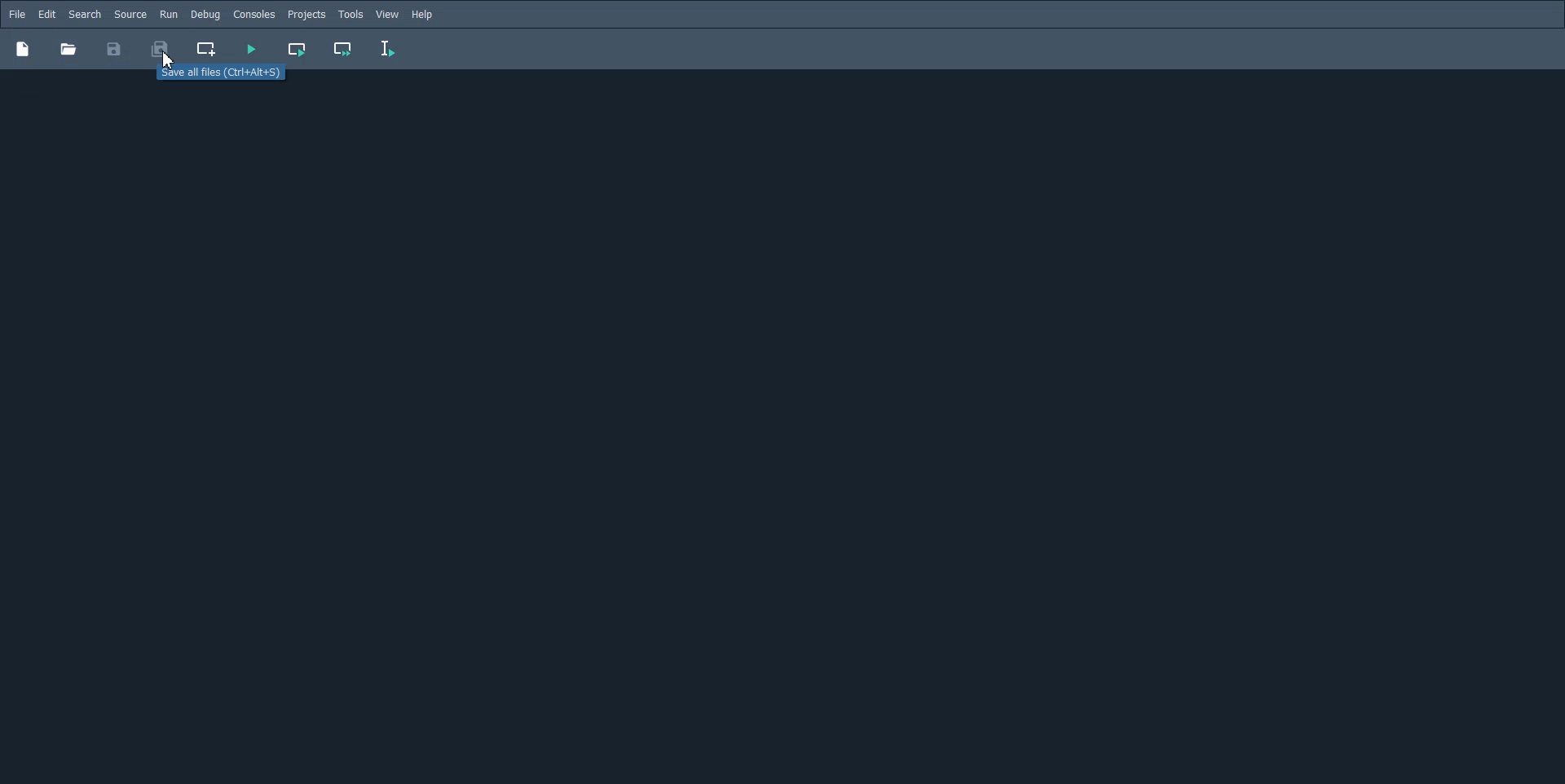 The height and width of the screenshot is (784, 1565). I want to click on File, so click(17, 14).